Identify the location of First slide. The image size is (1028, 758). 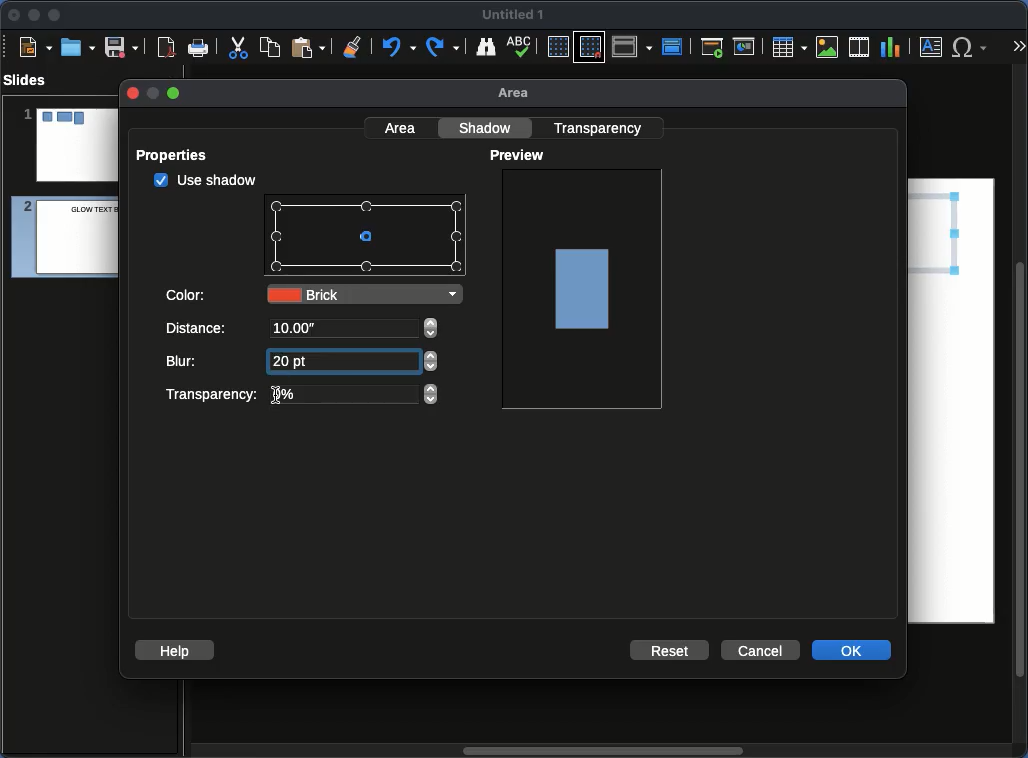
(712, 47).